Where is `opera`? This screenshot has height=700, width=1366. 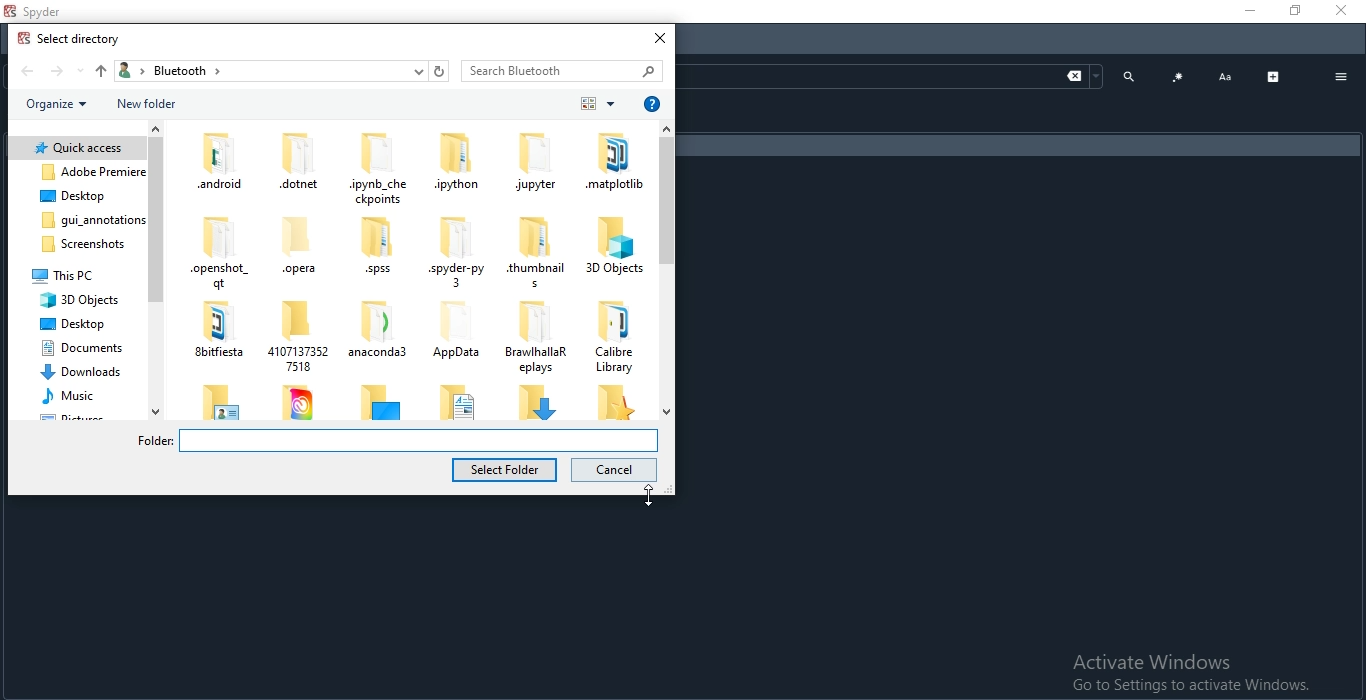 opera is located at coordinates (292, 251).